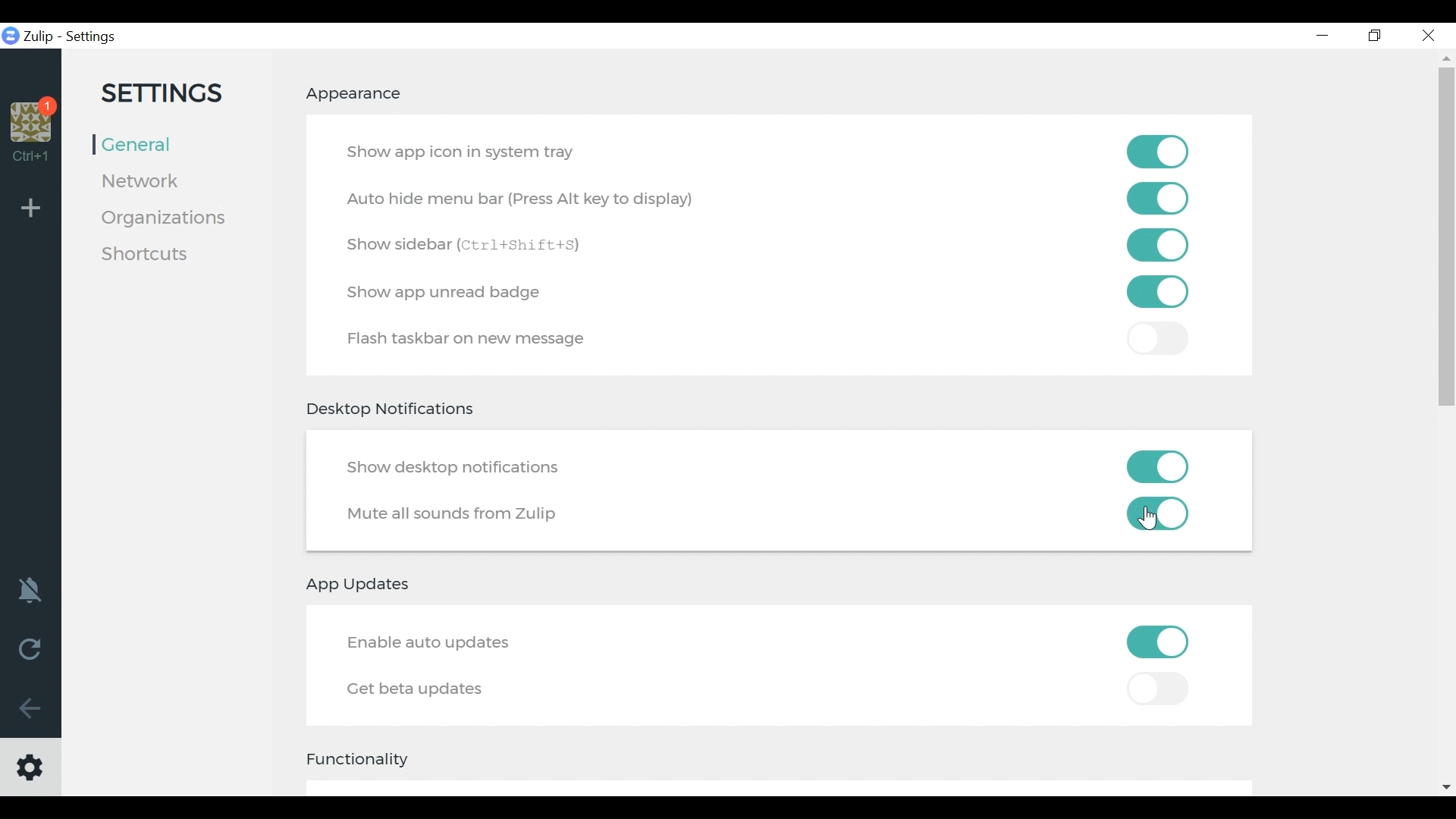 The image size is (1456, 819). I want to click on Cursor, so click(1149, 520).